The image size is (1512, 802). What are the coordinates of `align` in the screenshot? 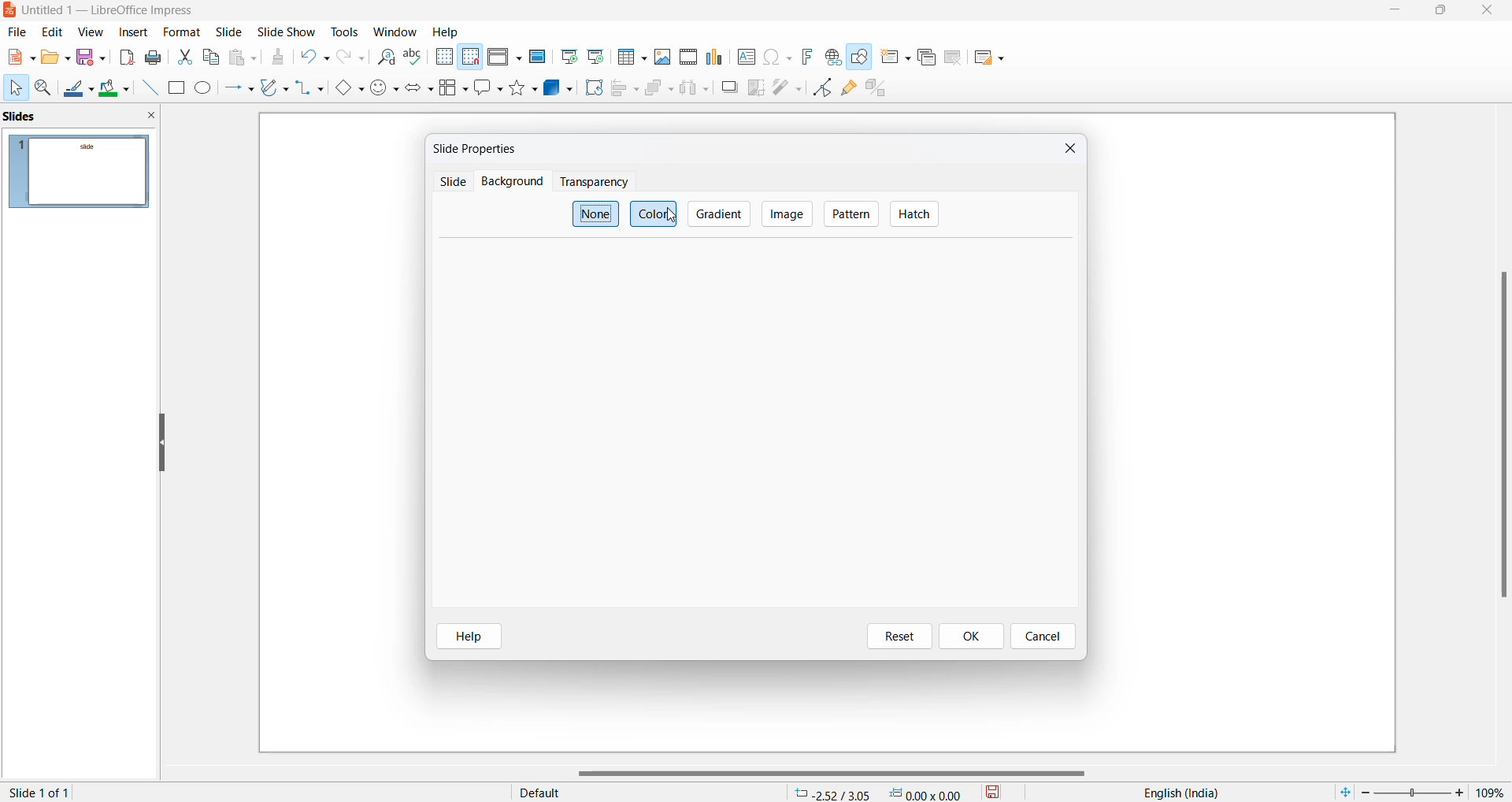 It's located at (625, 89).